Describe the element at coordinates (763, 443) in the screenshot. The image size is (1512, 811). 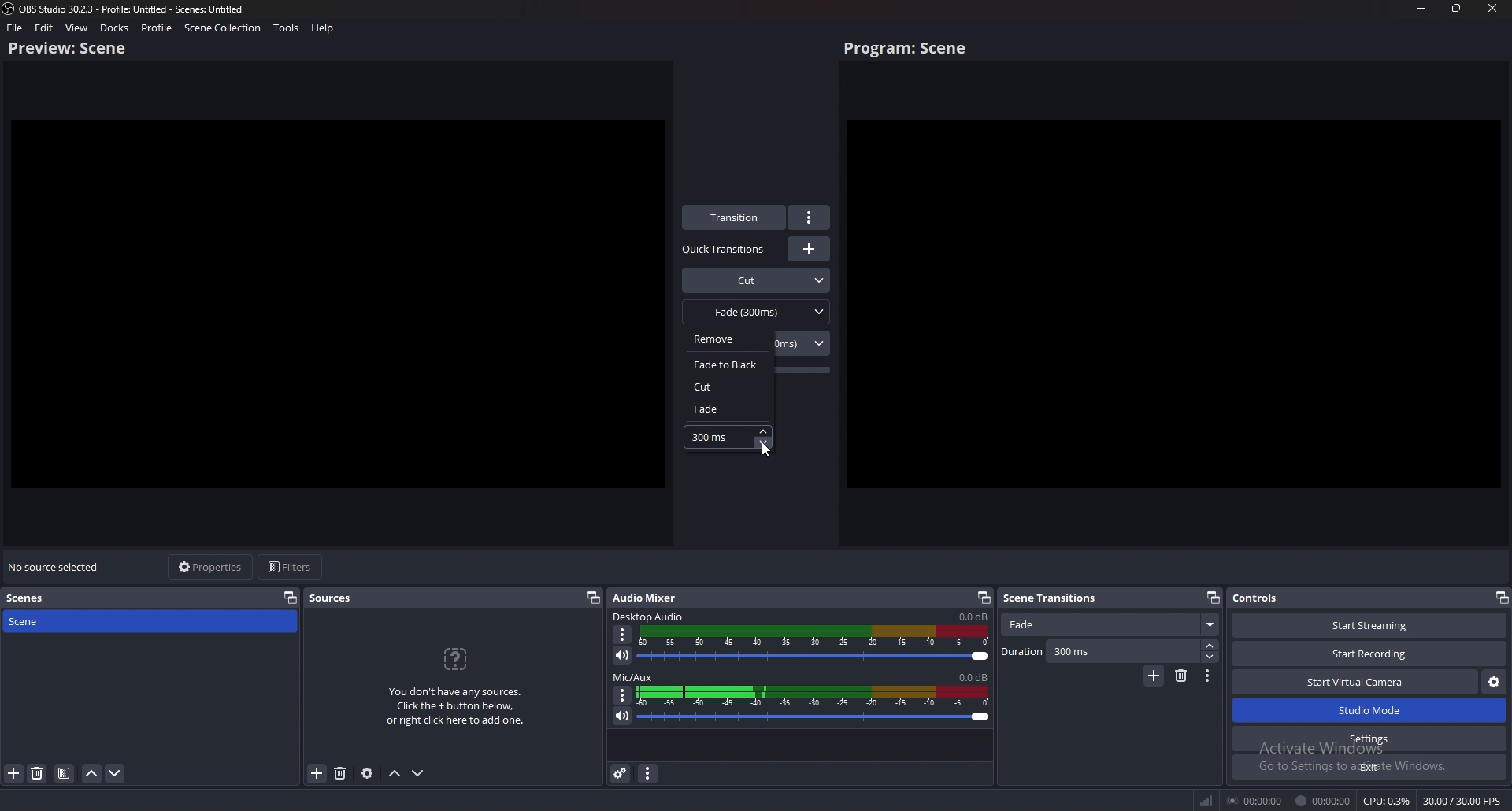
I see `decrease fade timer` at that location.